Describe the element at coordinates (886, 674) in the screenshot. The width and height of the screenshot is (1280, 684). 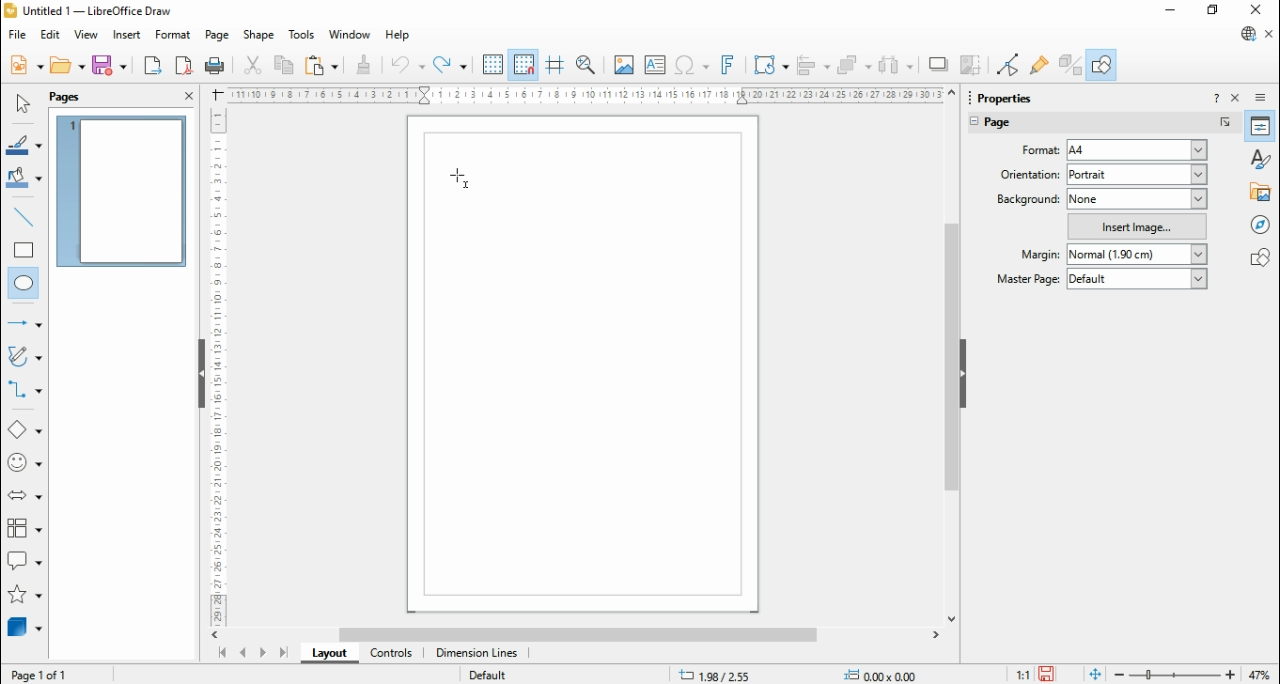
I see `+= 0,00x 0.00` at that location.